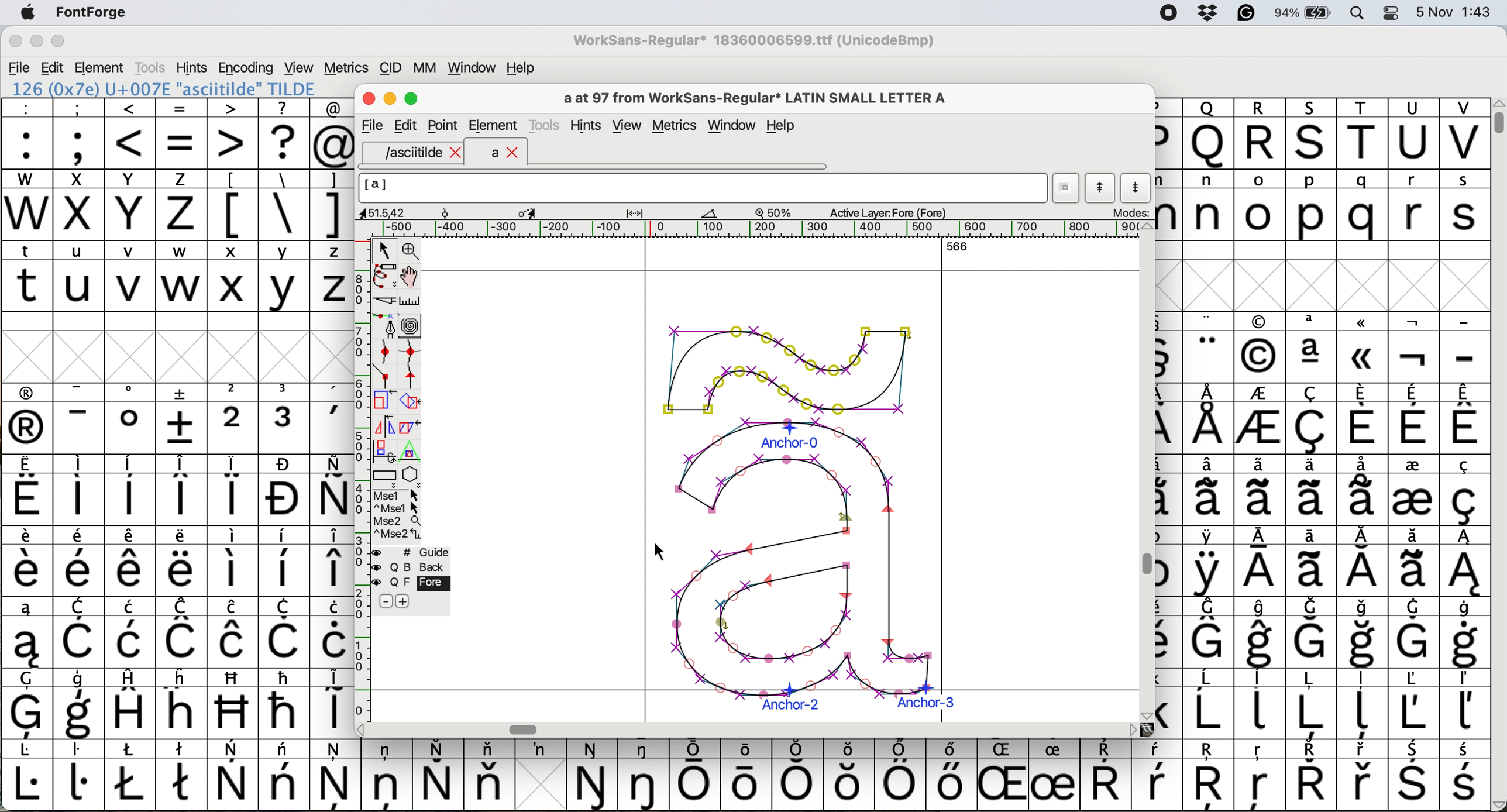  Describe the element at coordinates (438, 775) in the screenshot. I see `symbol` at that location.